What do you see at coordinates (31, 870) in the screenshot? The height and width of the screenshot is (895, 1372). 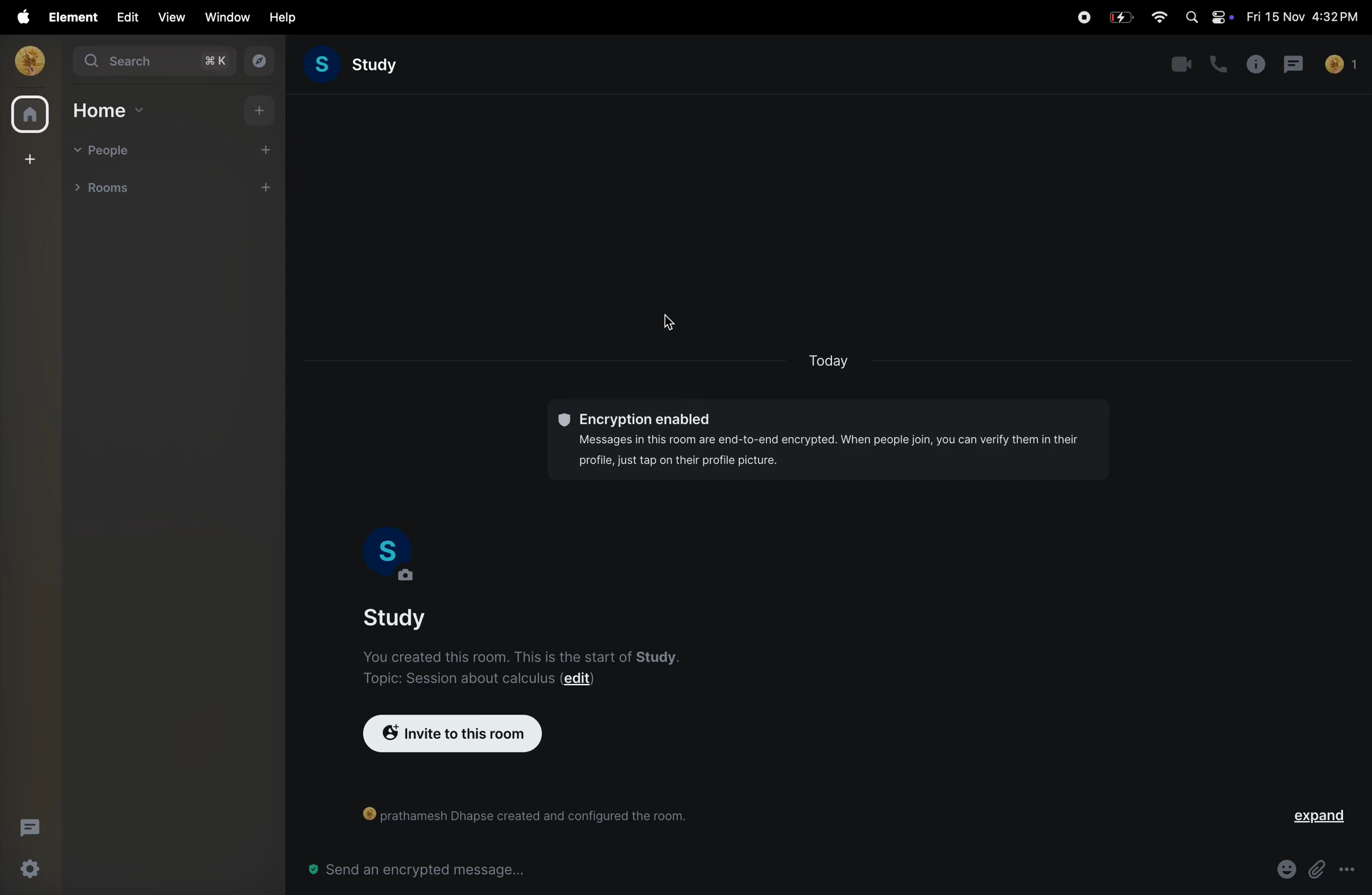 I see `ettings` at bounding box center [31, 870].